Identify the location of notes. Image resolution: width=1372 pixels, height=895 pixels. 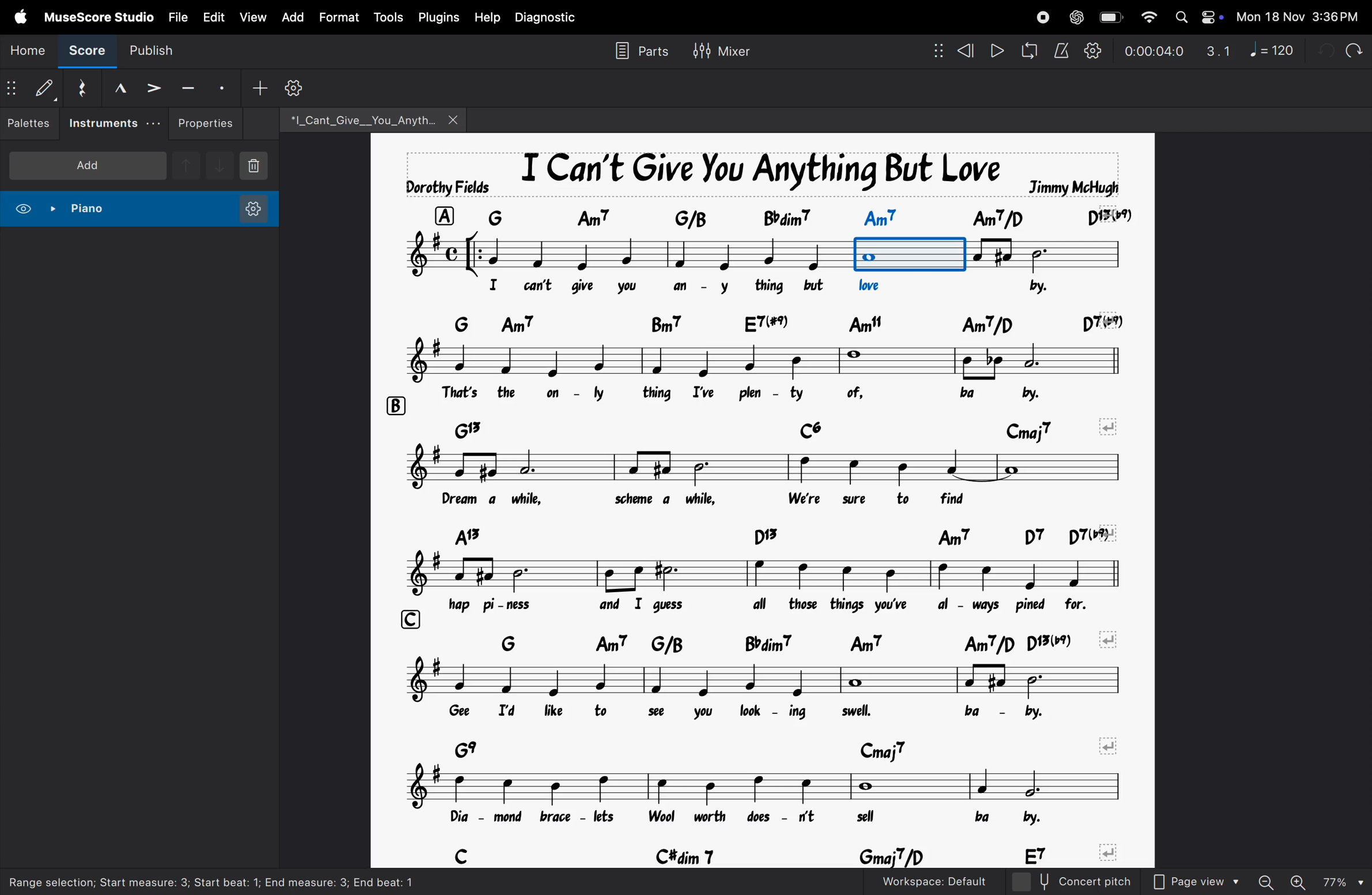
(774, 681).